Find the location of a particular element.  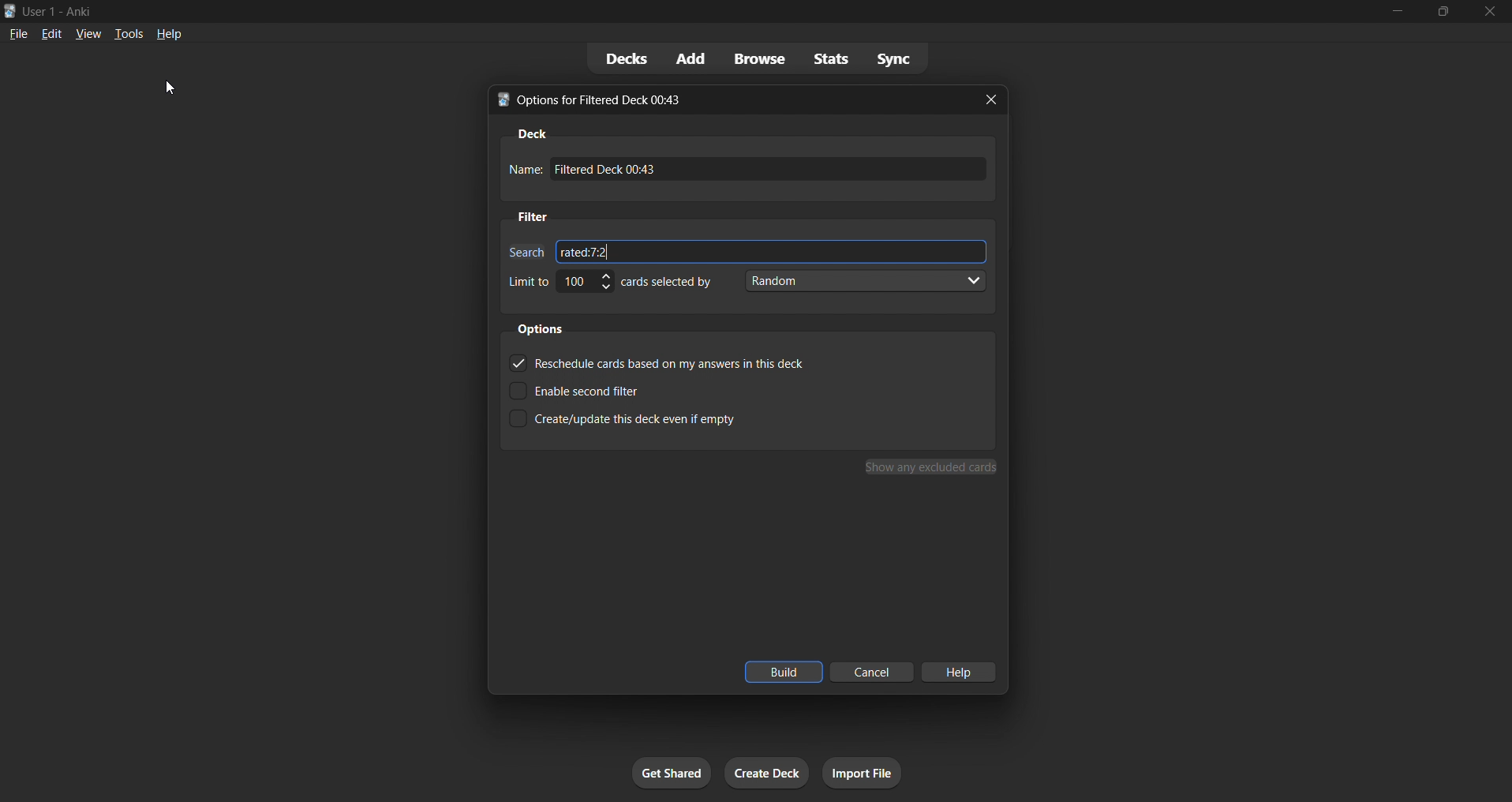

maximize/restore is located at coordinates (1439, 10).